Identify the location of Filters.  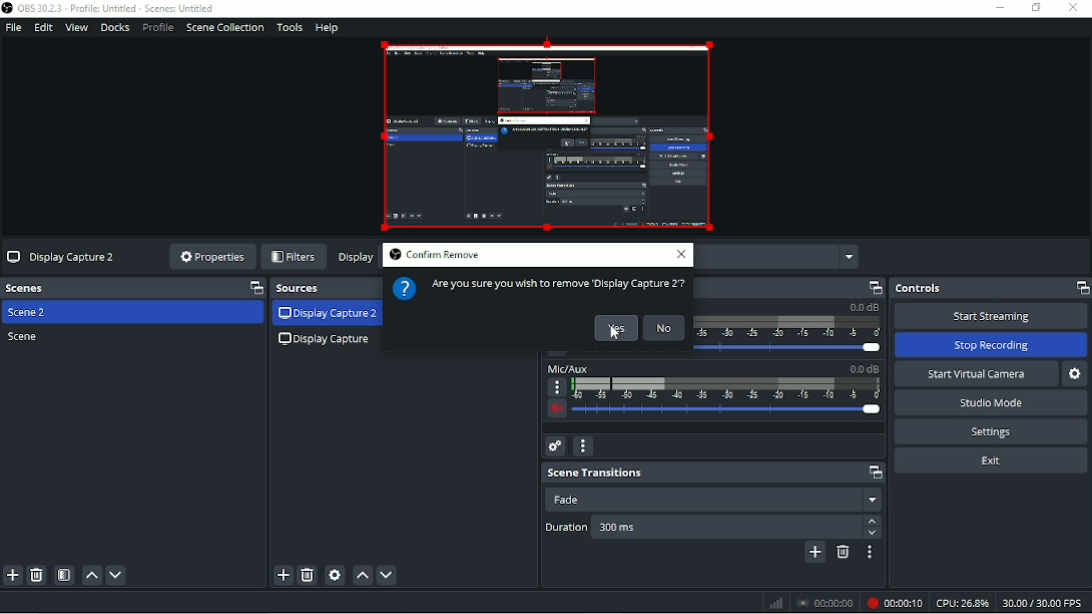
(294, 256).